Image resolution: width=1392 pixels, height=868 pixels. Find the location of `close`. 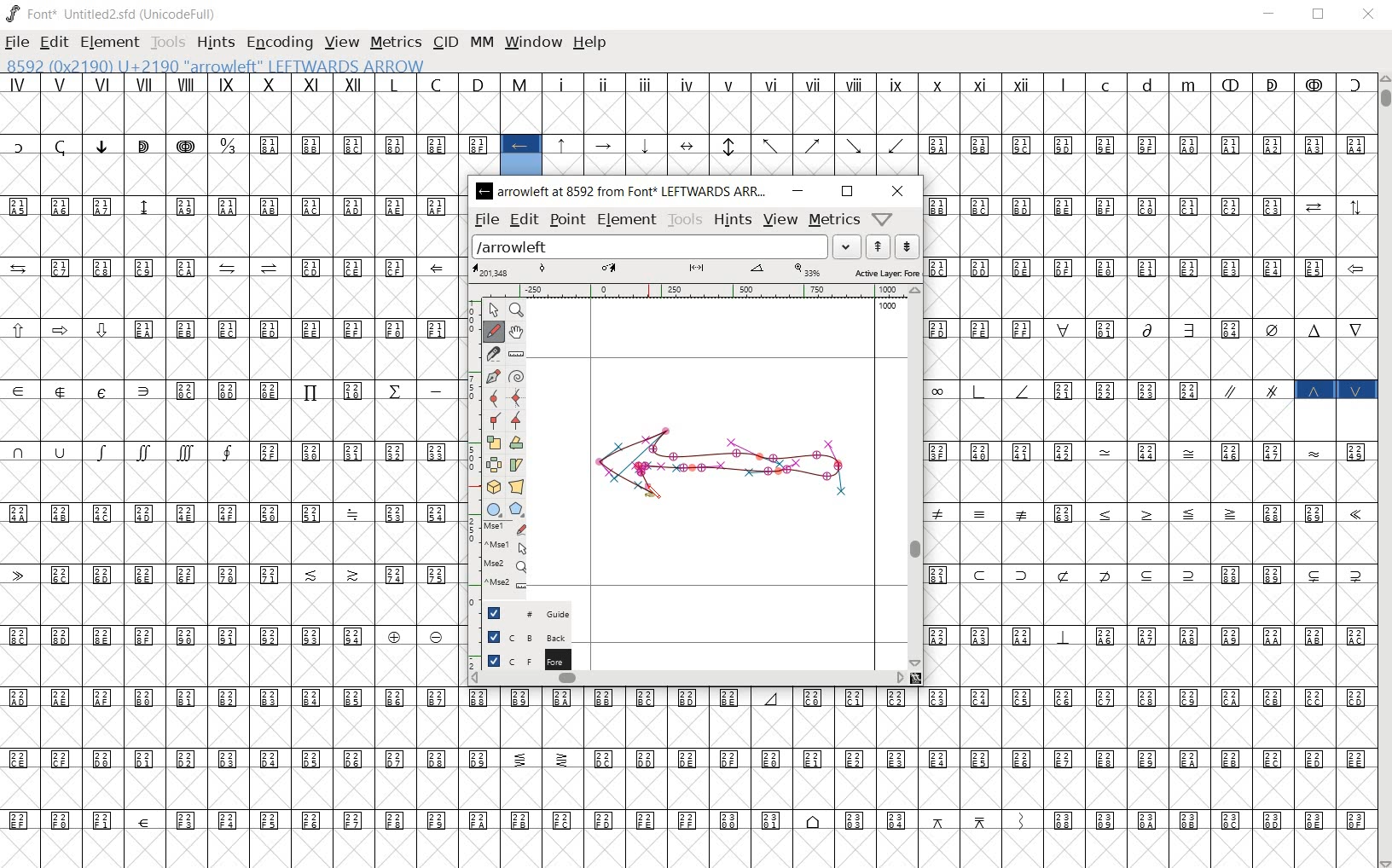

close is located at coordinates (1368, 16).